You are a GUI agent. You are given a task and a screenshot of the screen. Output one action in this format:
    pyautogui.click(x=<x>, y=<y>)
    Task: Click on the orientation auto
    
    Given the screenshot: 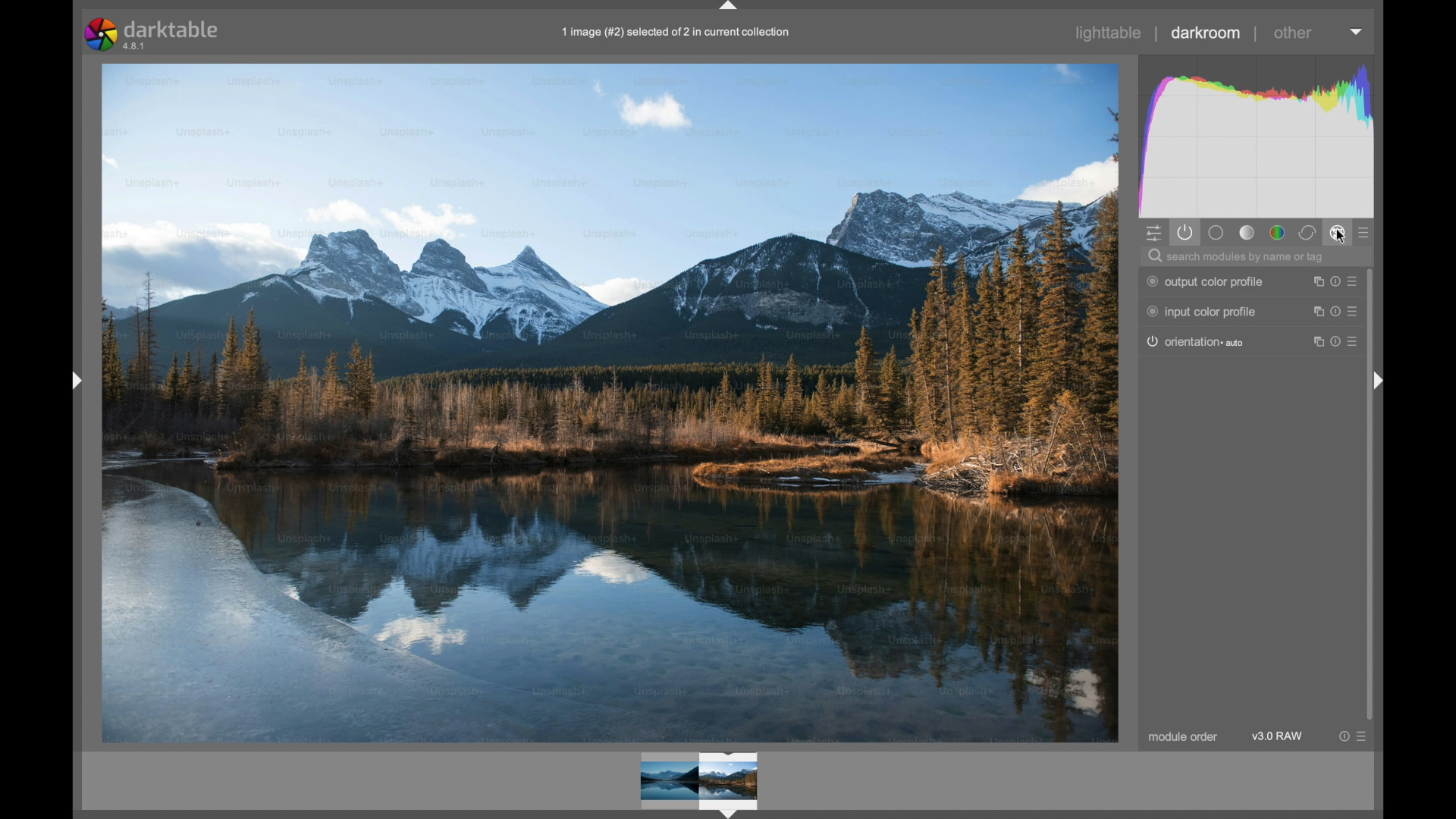 What is the action you would take?
    pyautogui.click(x=1200, y=342)
    